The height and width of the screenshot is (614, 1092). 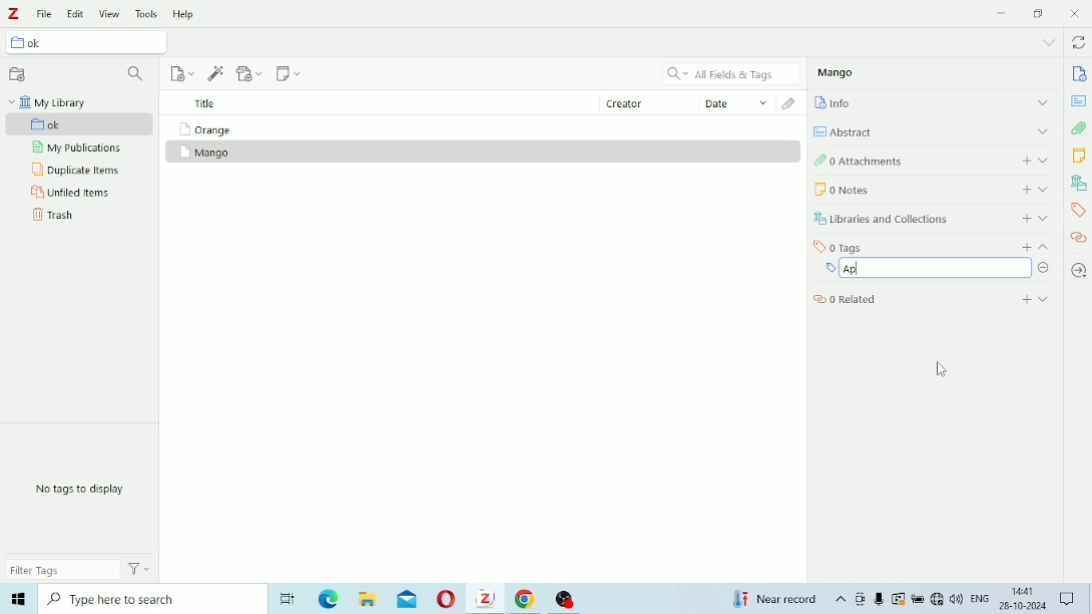 I want to click on Notes, so click(x=1078, y=157).